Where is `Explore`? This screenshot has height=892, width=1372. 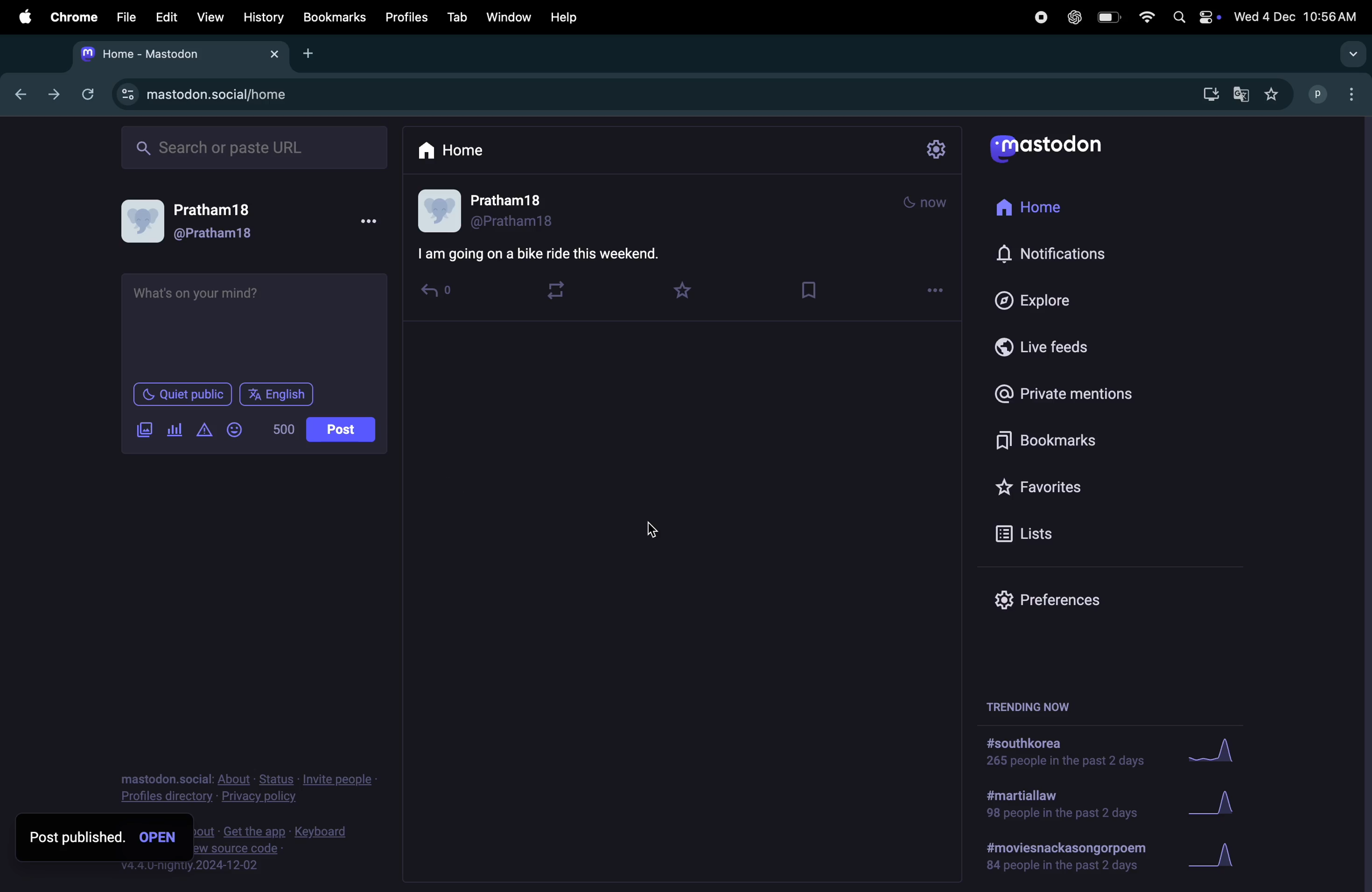 Explore is located at coordinates (1041, 300).